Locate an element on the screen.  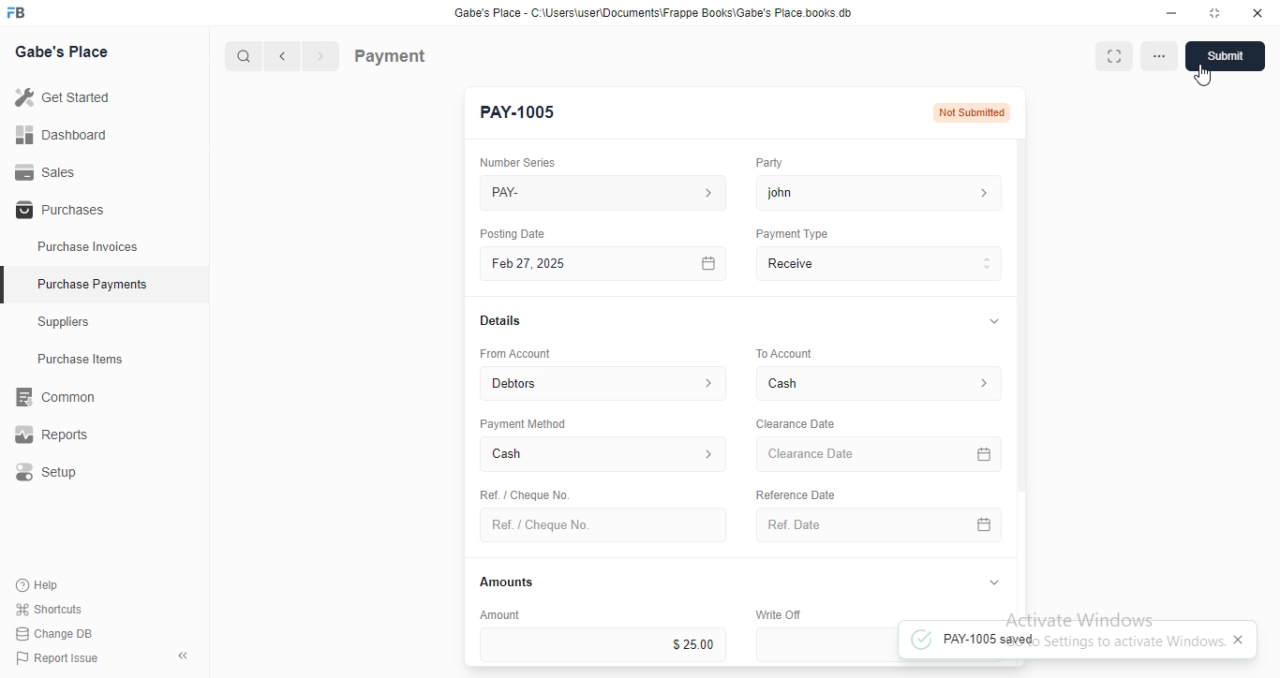
To Account is located at coordinates (782, 352).